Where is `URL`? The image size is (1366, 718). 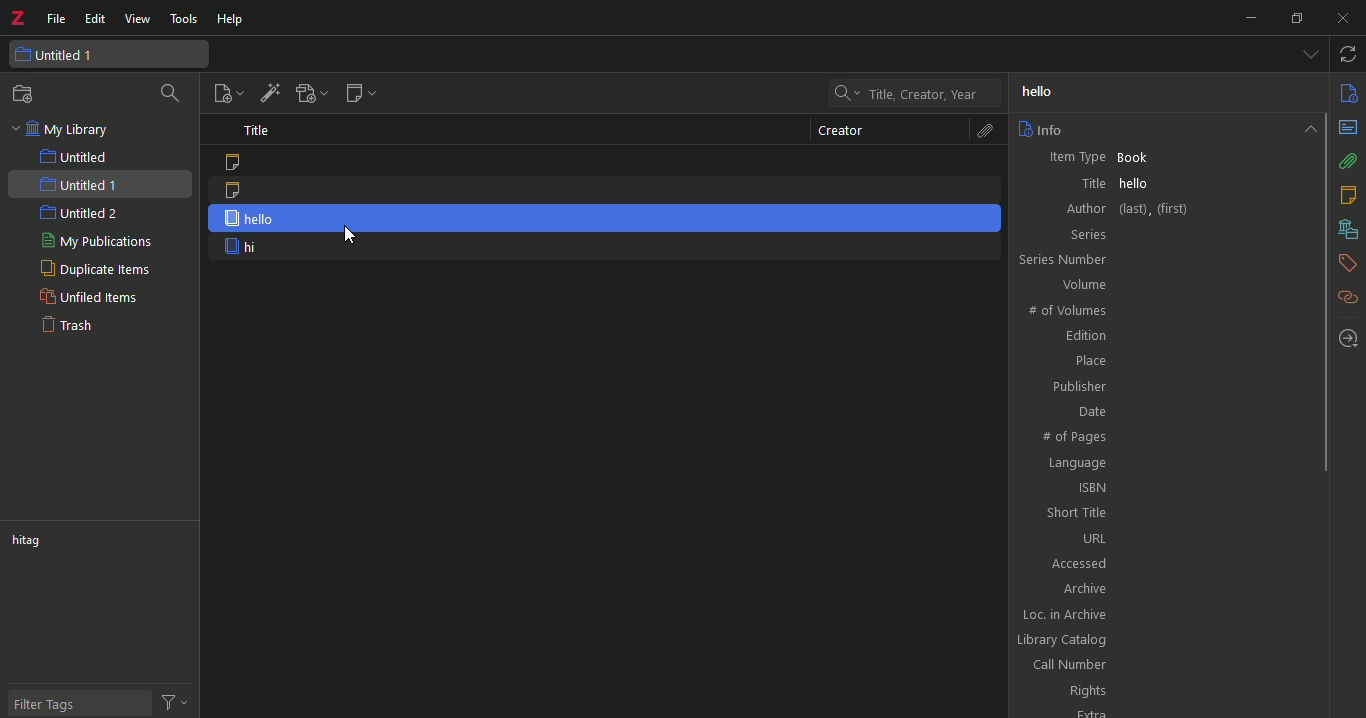 URL is located at coordinates (1103, 539).